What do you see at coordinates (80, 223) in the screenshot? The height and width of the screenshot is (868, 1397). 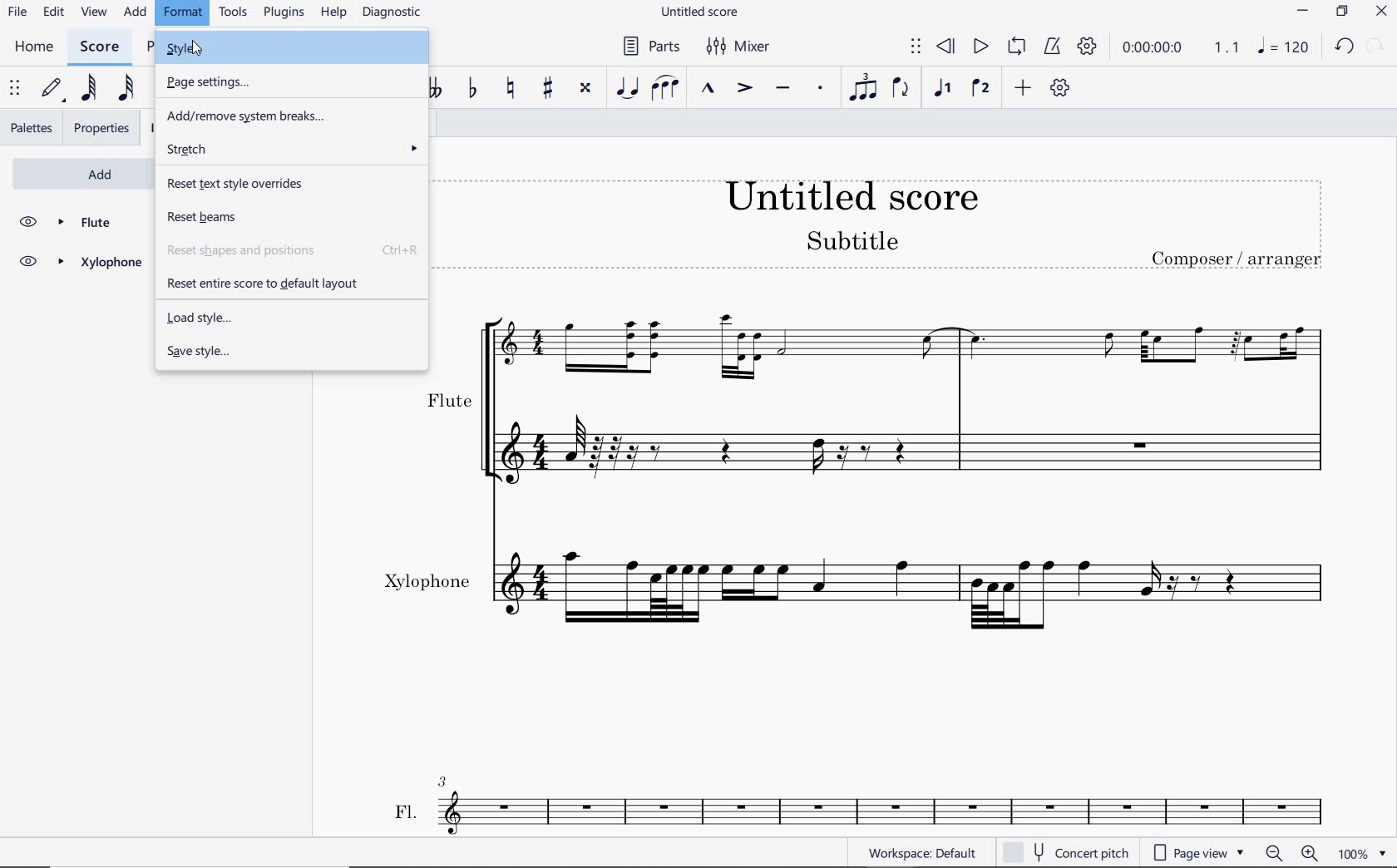 I see `FLUTE` at bounding box center [80, 223].